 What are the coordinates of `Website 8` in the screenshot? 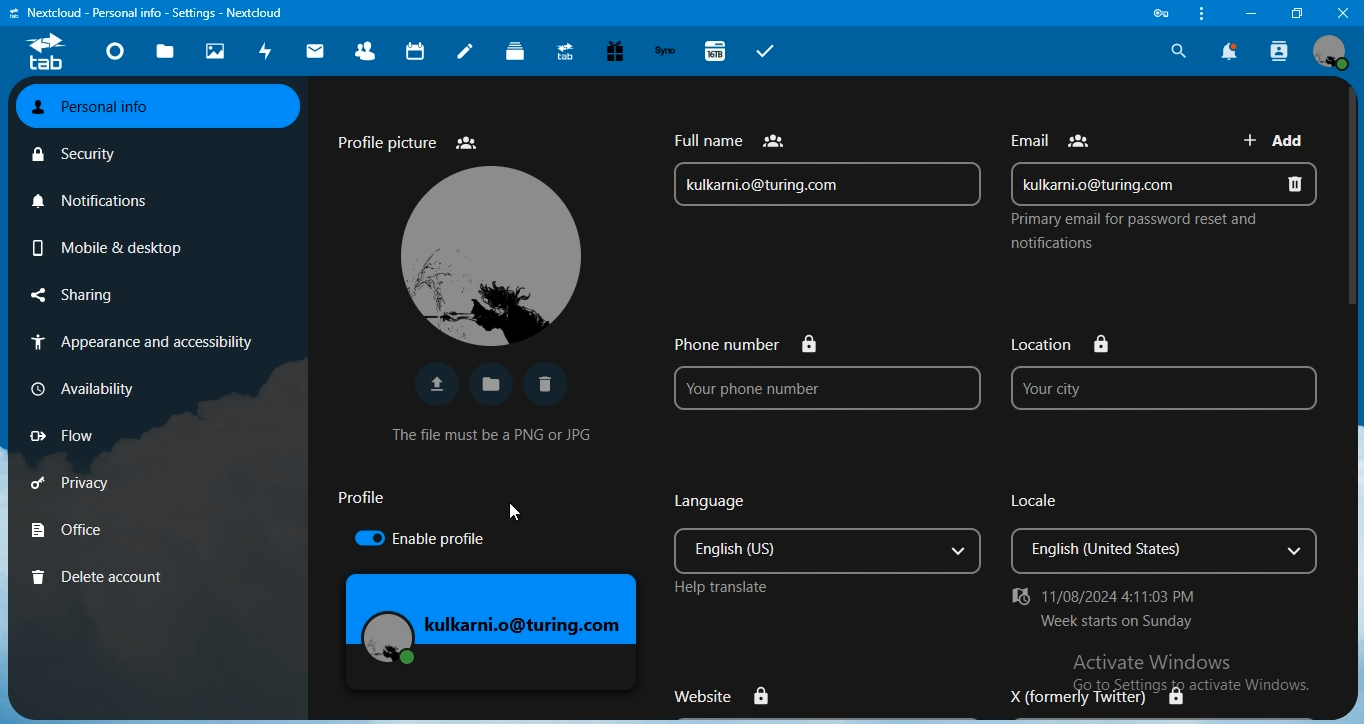 It's located at (725, 691).